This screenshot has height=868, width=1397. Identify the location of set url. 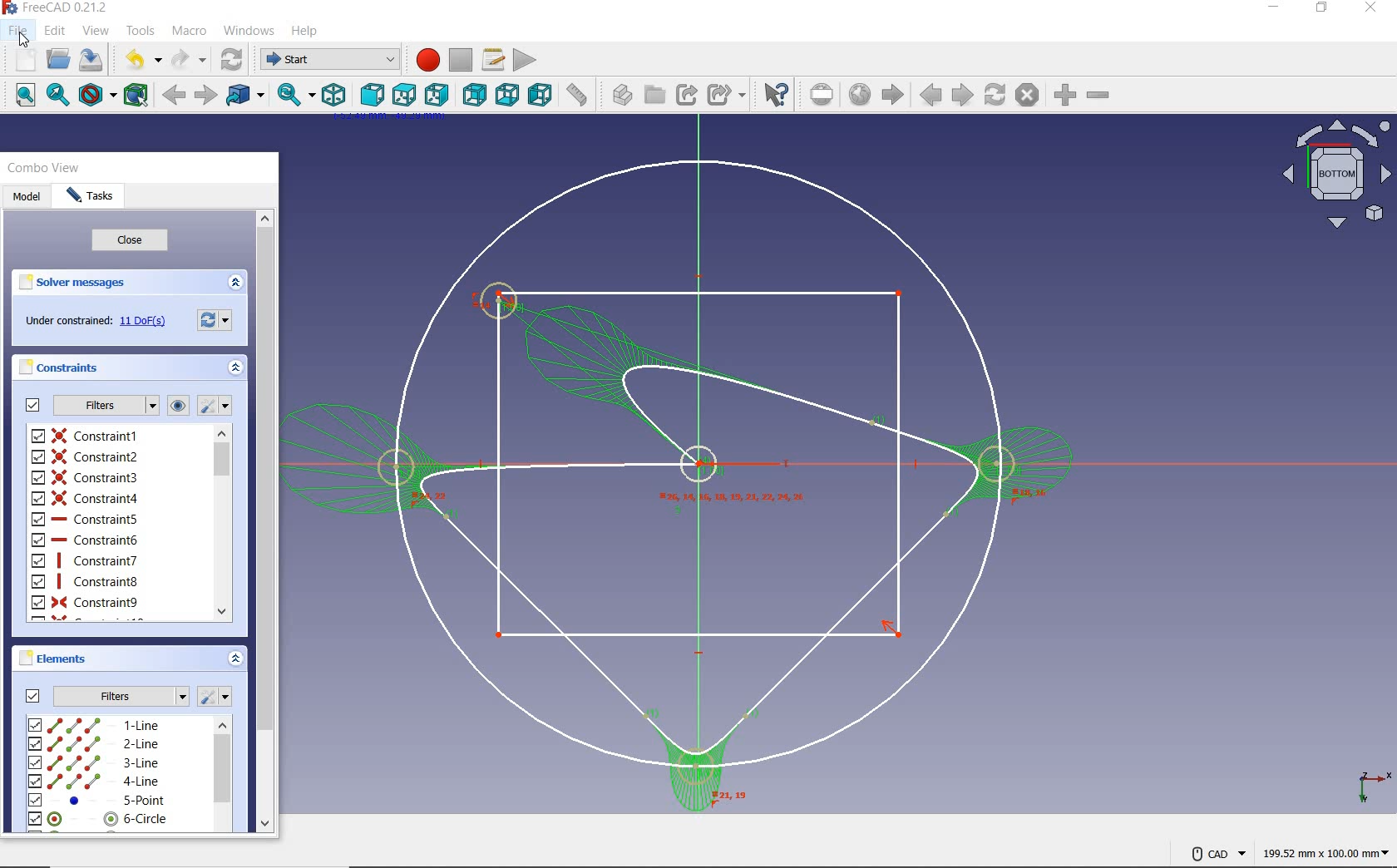
(823, 95).